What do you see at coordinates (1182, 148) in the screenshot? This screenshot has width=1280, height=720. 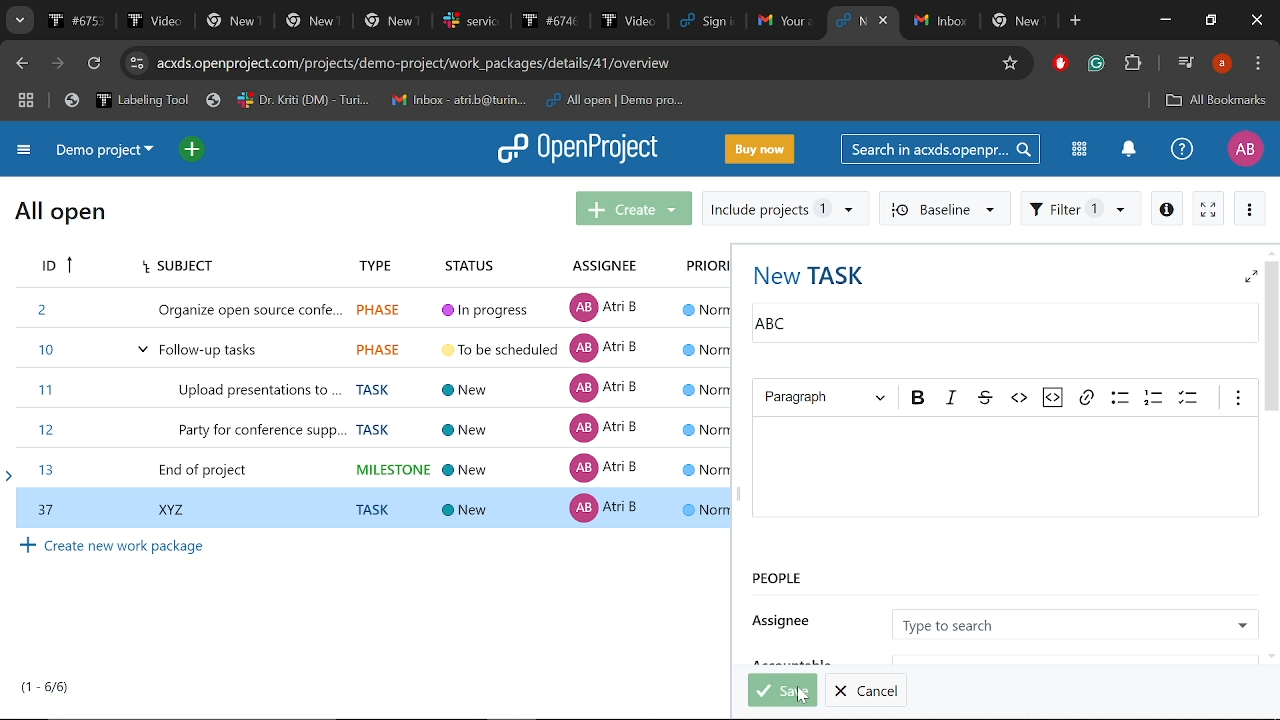 I see `Help` at bounding box center [1182, 148].